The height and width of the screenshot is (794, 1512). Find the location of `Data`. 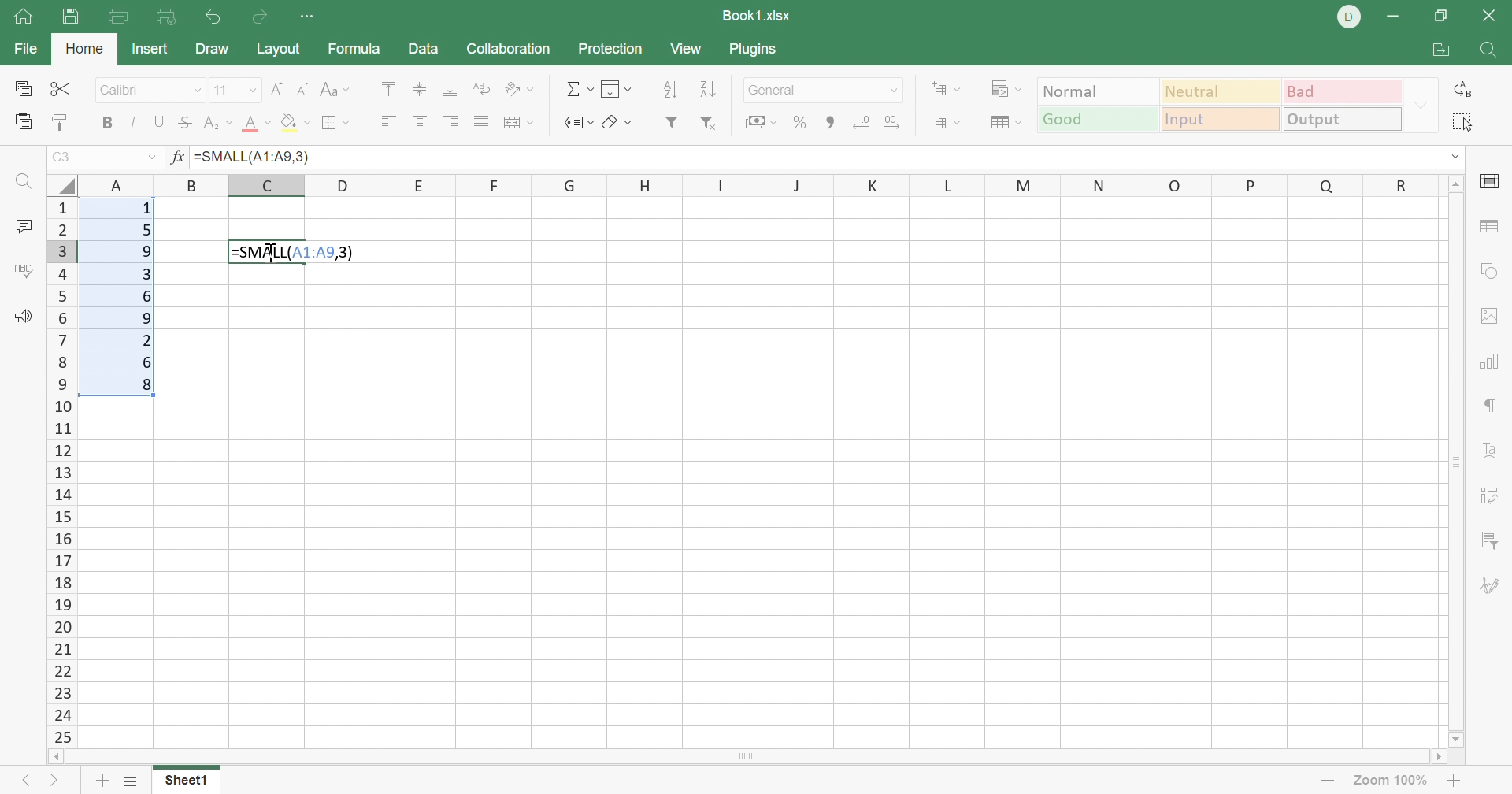

Data is located at coordinates (423, 46).